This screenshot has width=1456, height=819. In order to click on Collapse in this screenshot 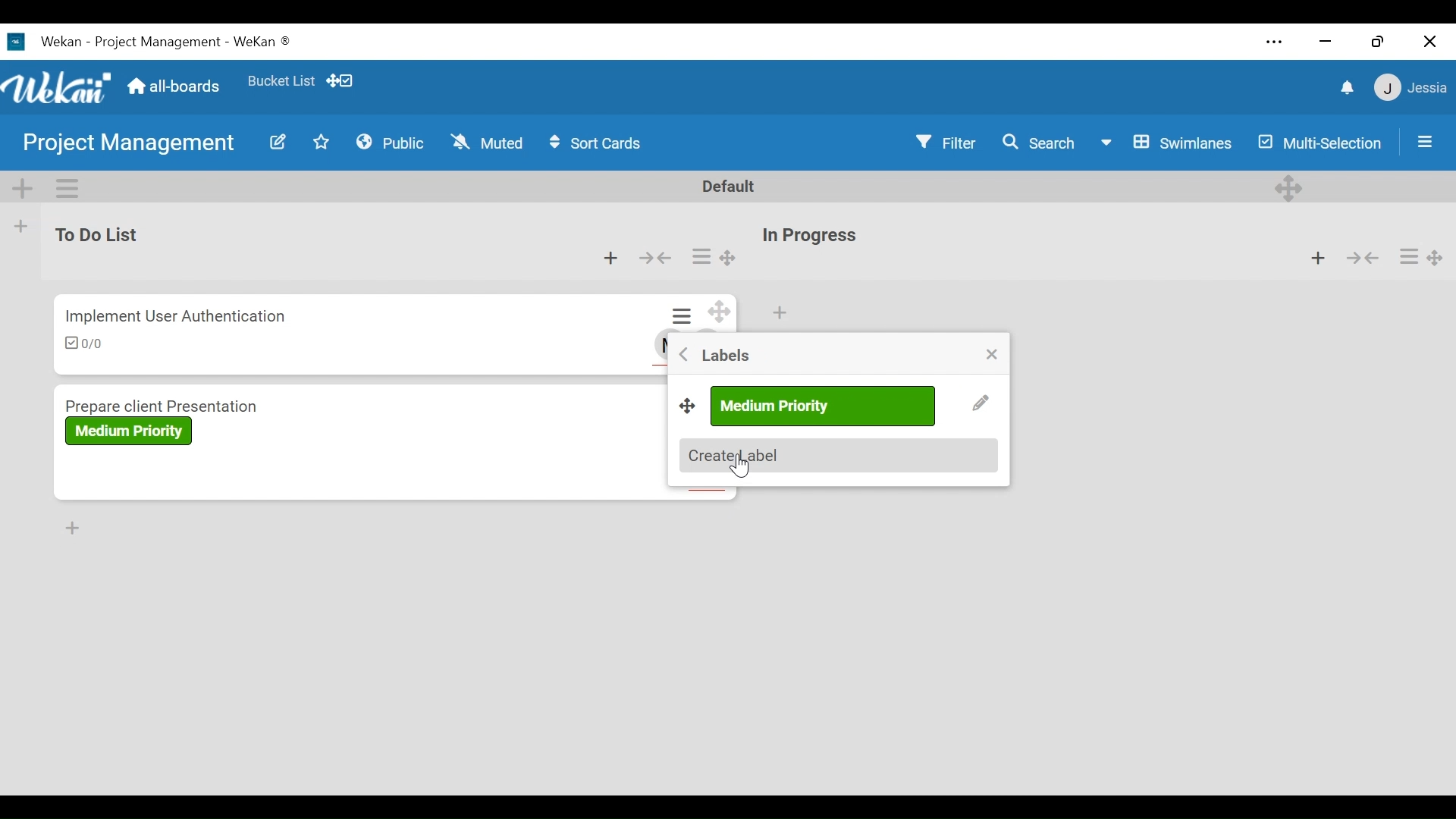, I will do `click(1361, 257)`.